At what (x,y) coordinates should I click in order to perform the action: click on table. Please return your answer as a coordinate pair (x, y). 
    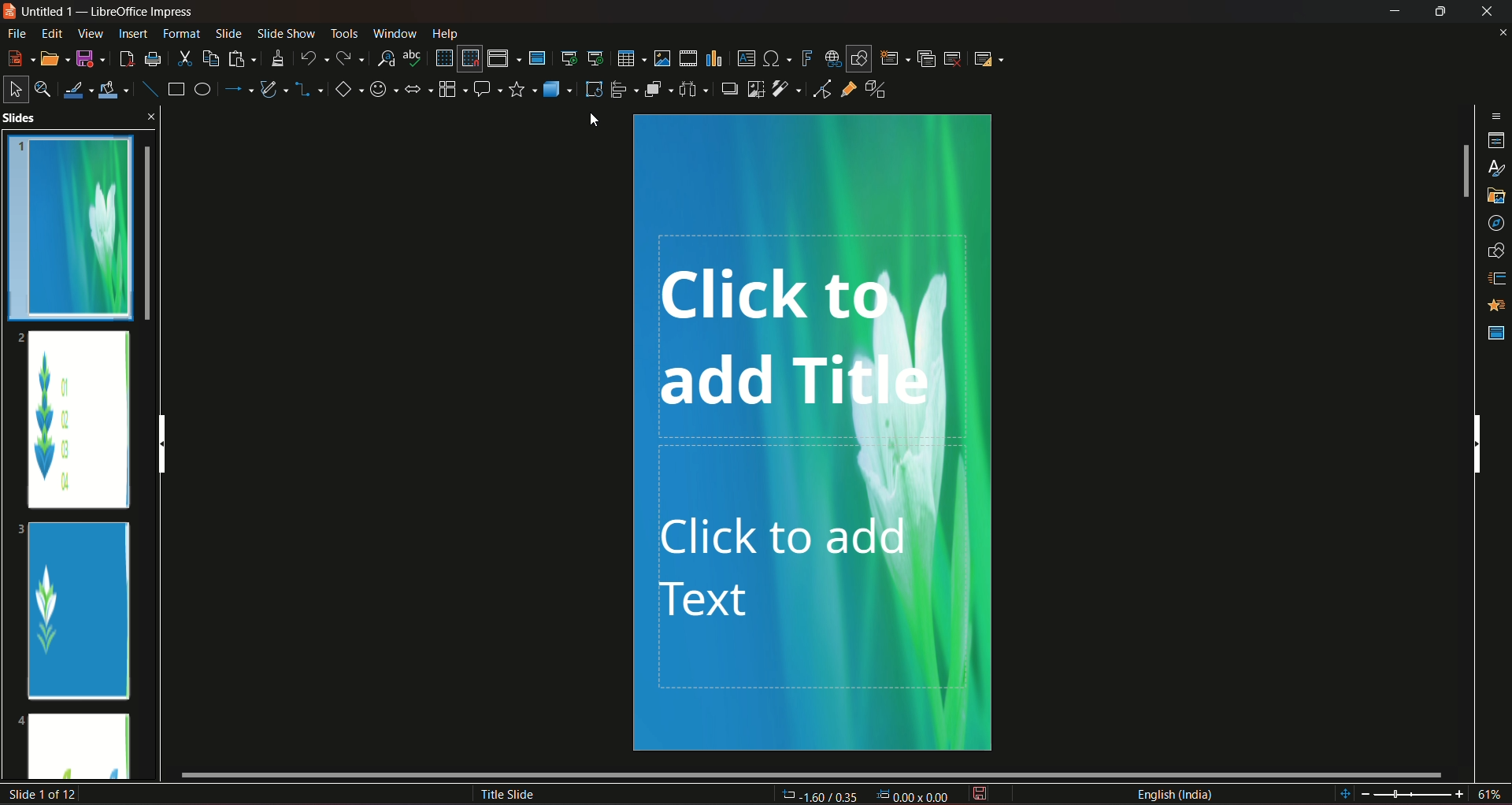
    Looking at the image, I should click on (629, 57).